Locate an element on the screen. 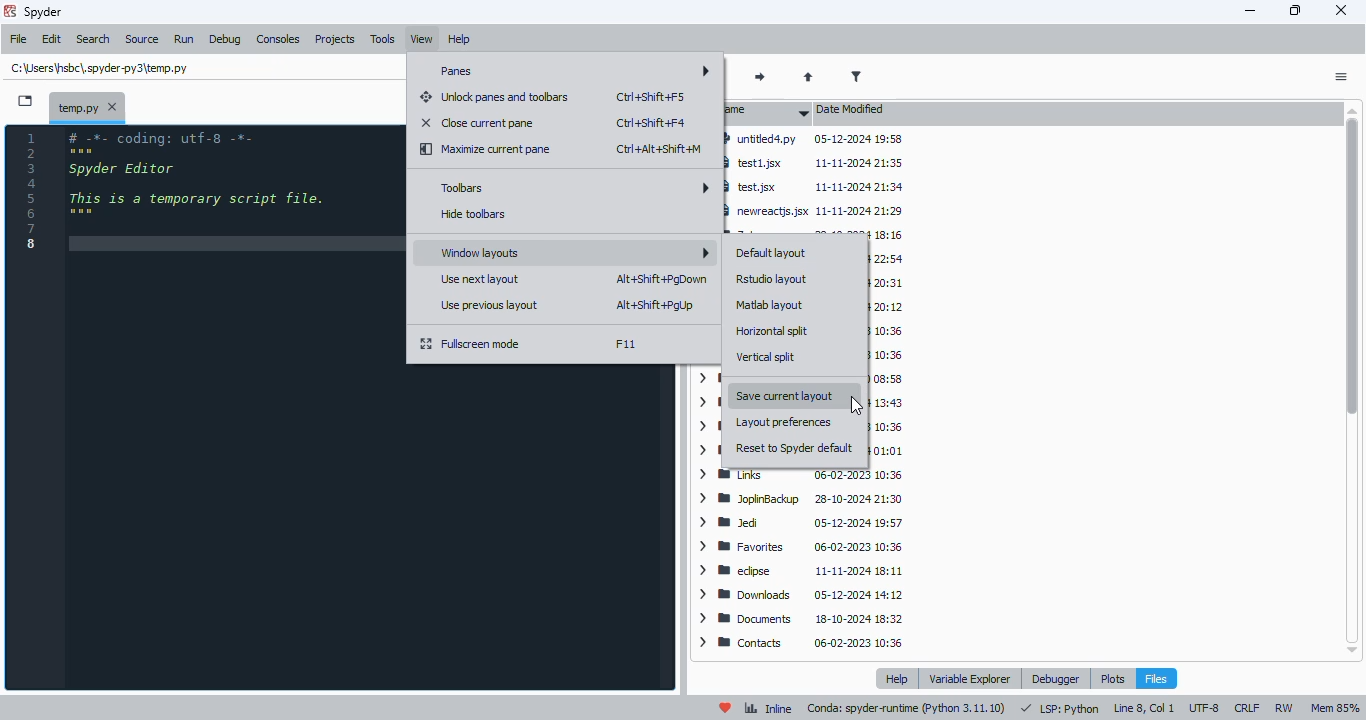 This screenshot has height=720, width=1366. maximize is located at coordinates (1295, 10).